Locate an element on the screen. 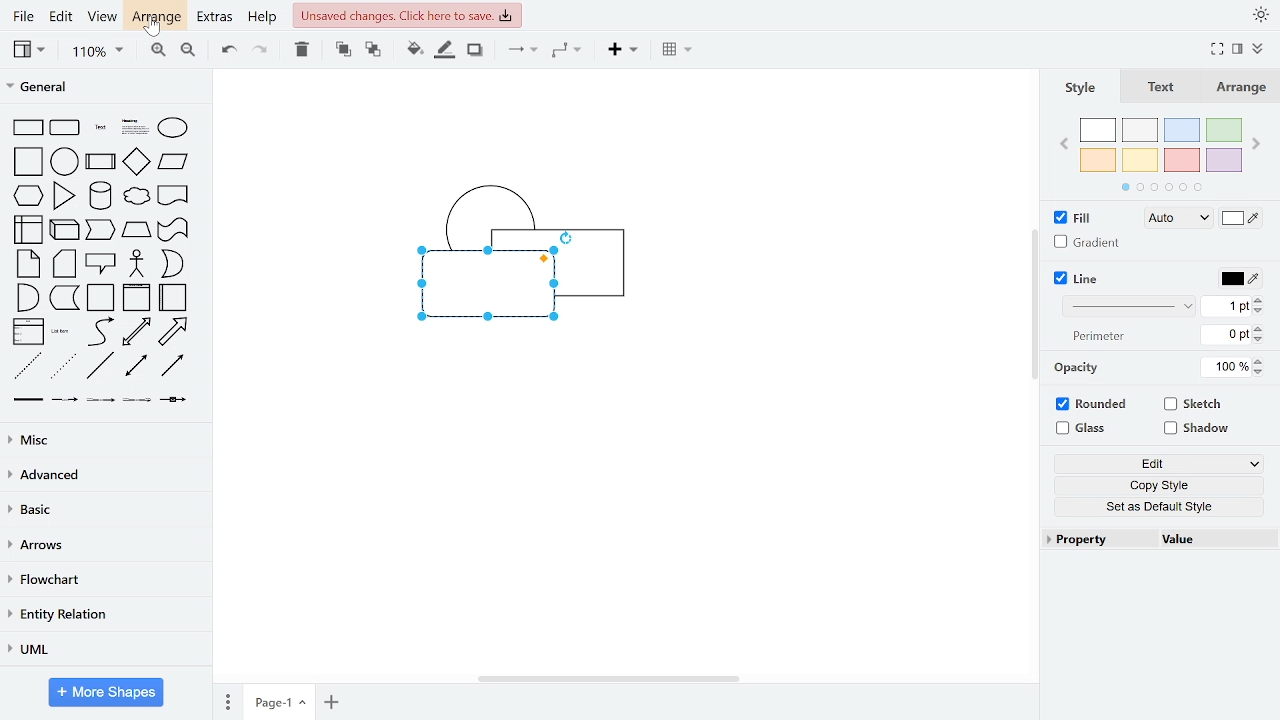 This screenshot has height=720, width=1280. and is located at coordinates (27, 297).